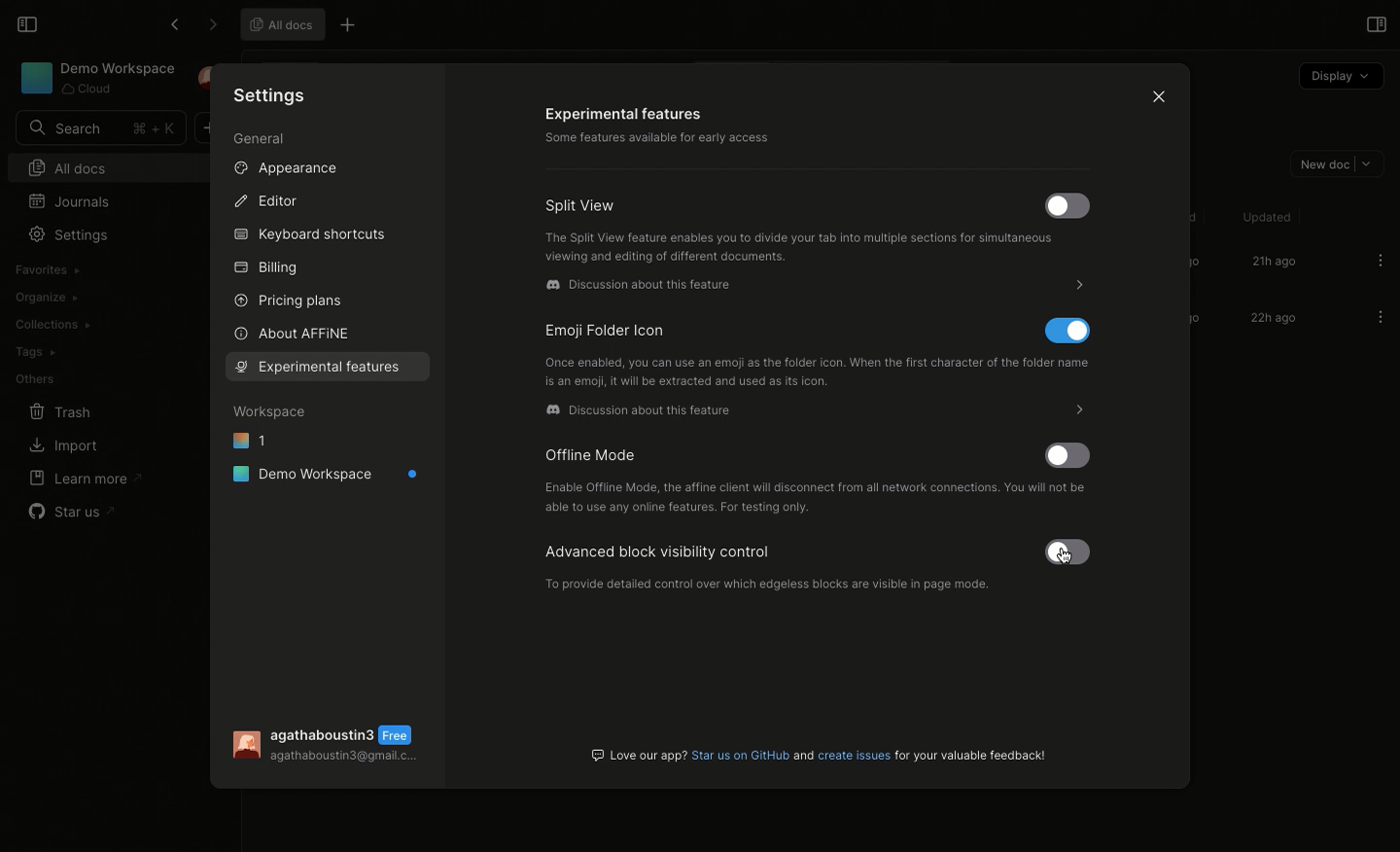  Describe the element at coordinates (84, 478) in the screenshot. I see `Learn more` at that location.